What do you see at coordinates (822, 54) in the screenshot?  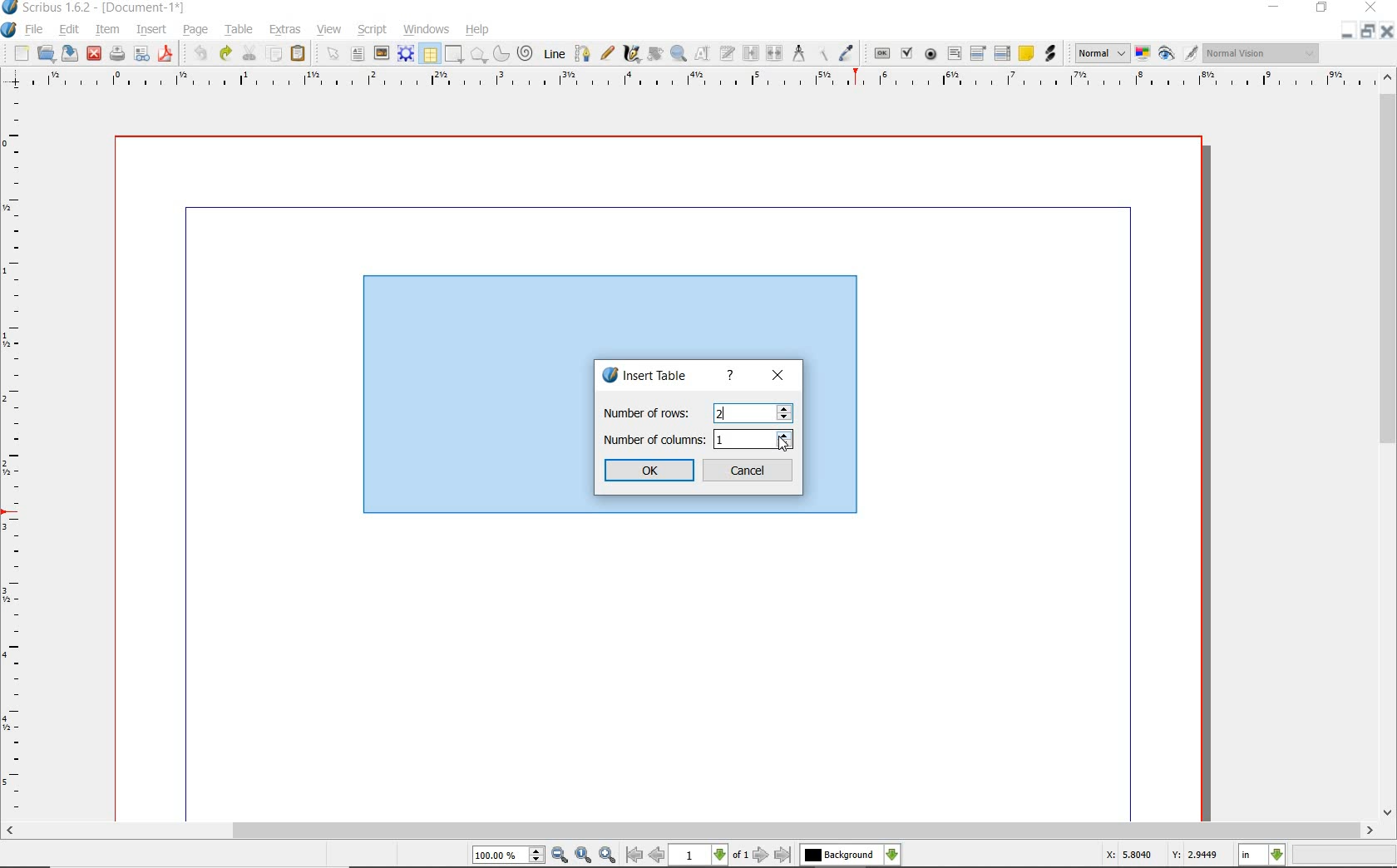 I see `copy item properties` at bounding box center [822, 54].